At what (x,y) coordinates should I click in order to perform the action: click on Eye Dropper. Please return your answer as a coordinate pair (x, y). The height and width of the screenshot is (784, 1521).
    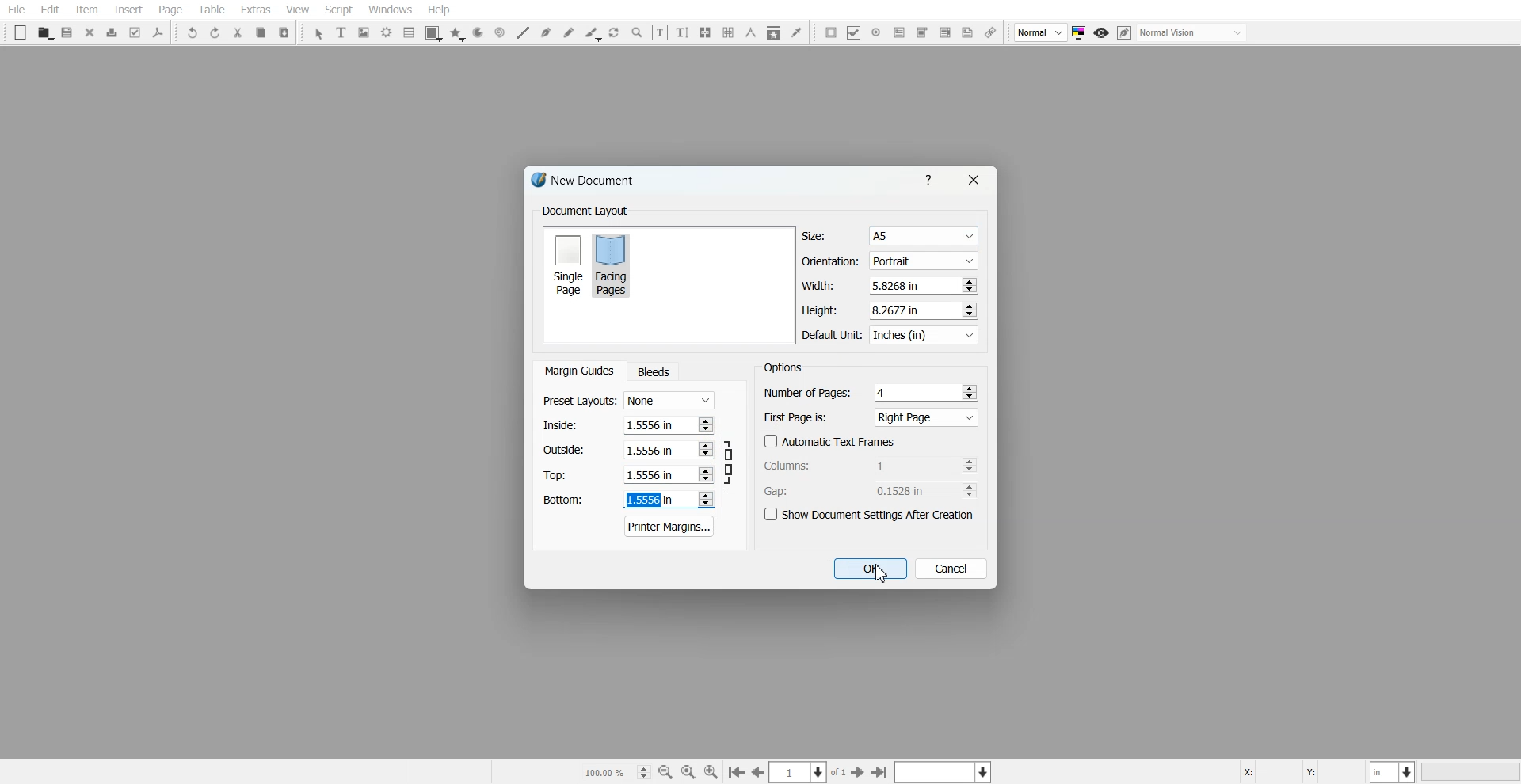
    Looking at the image, I should click on (796, 32).